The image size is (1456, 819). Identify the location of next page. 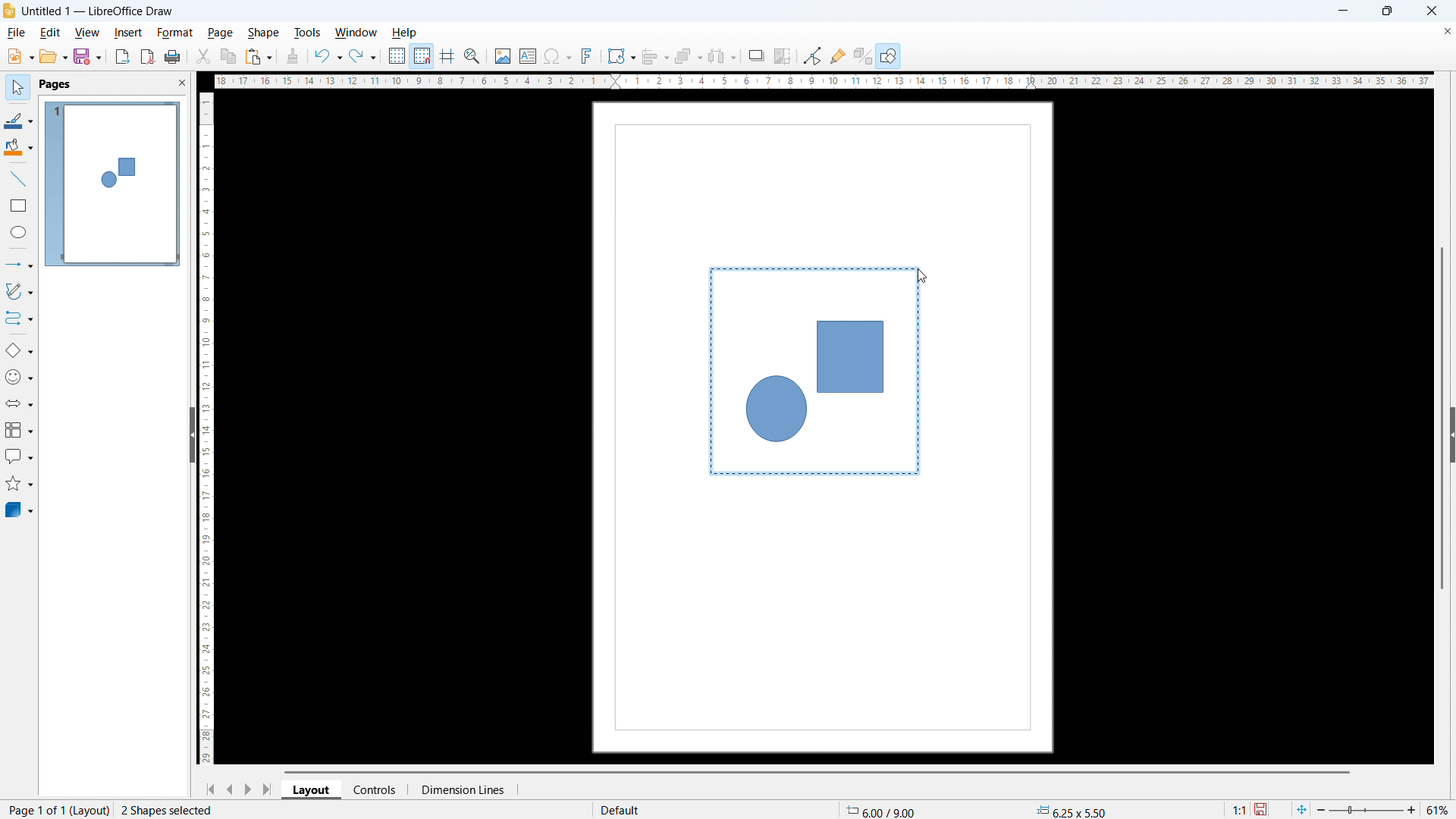
(249, 789).